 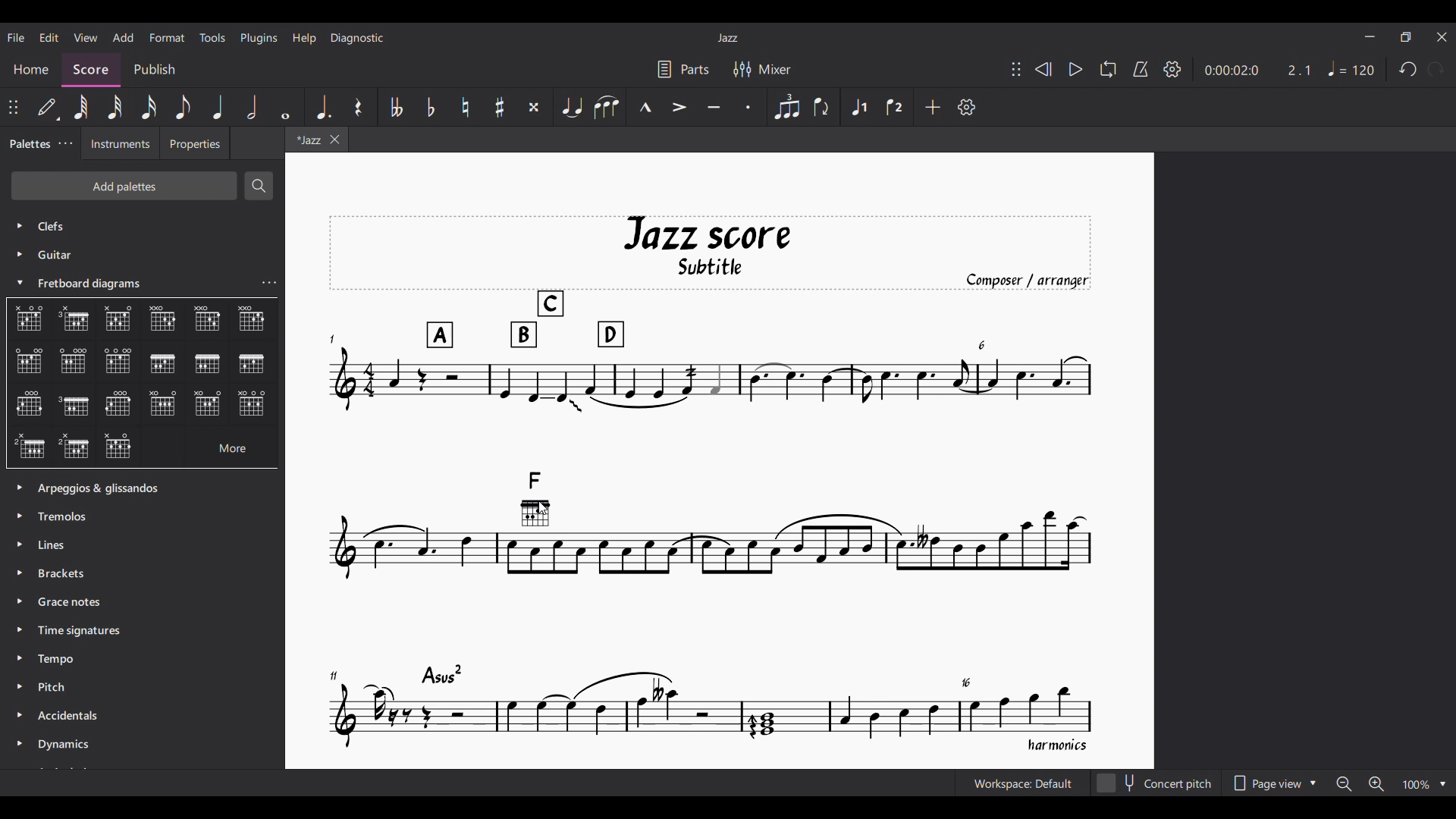 I want to click on Add palettes, so click(x=123, y=185).